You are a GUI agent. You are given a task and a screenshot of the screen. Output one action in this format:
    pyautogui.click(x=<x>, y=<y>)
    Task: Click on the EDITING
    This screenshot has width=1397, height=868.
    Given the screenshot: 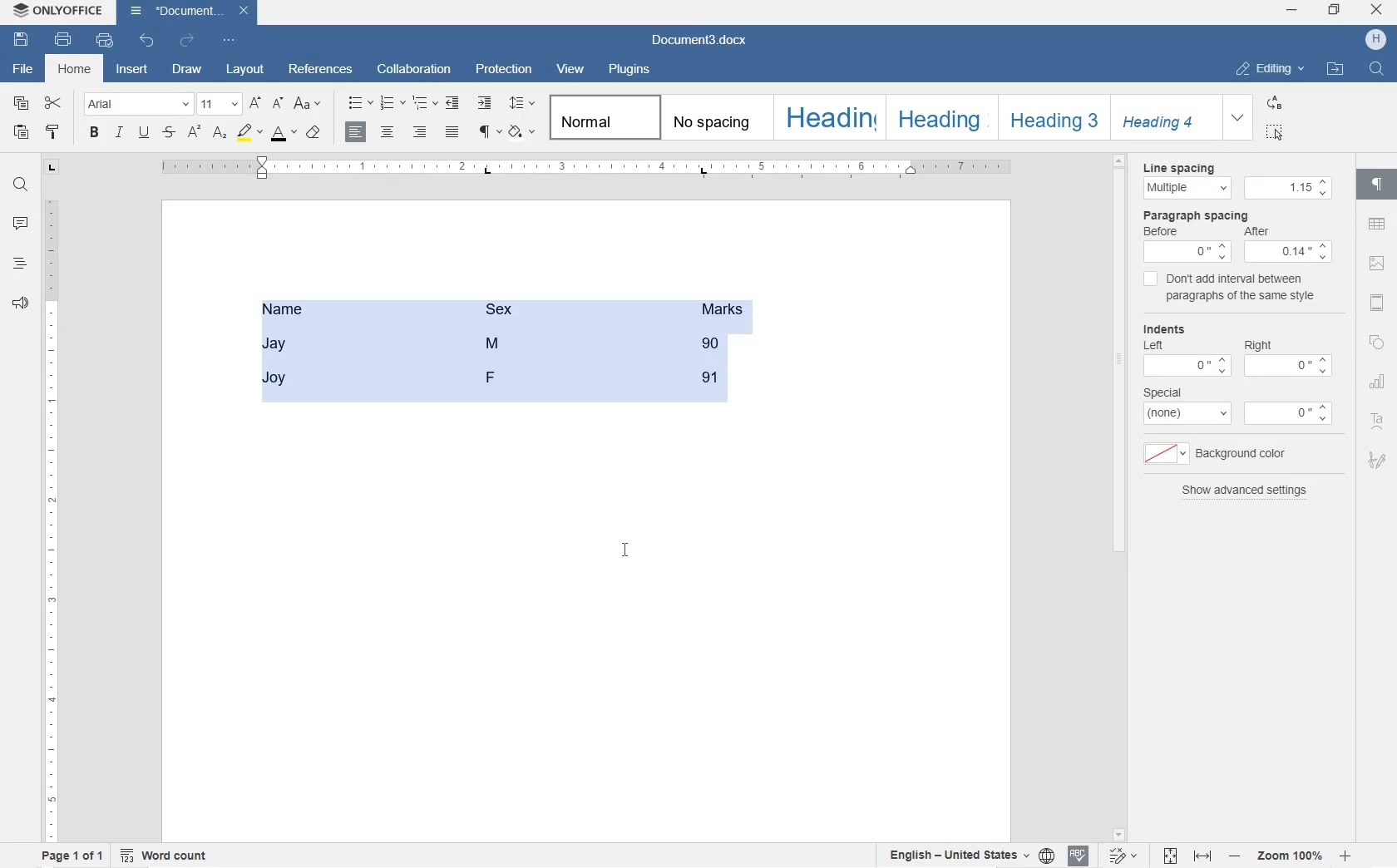 What is the action you would take?
    pyautogui.click(x=1271, y=65)
    